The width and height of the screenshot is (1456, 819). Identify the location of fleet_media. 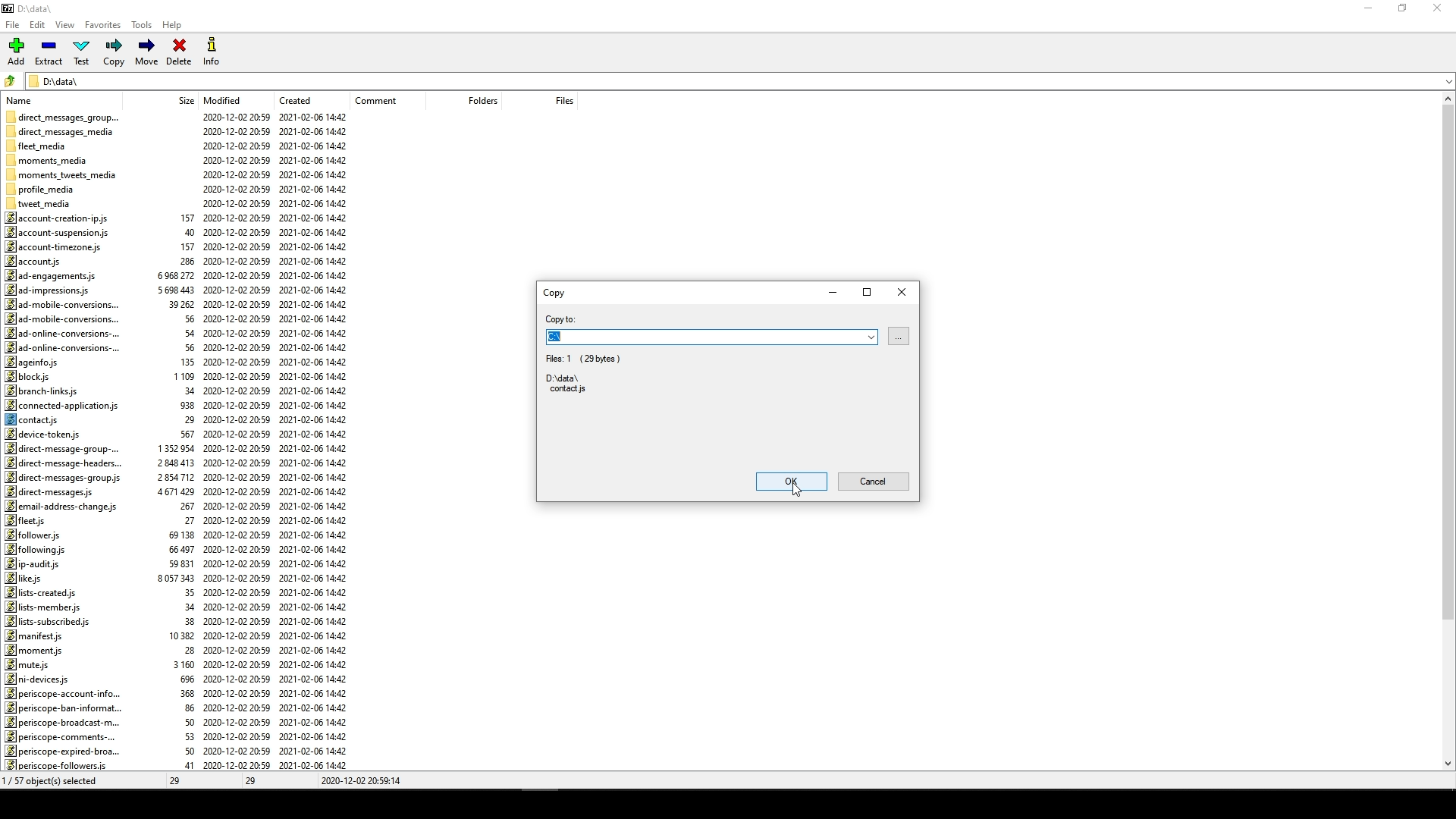
(39, 145).